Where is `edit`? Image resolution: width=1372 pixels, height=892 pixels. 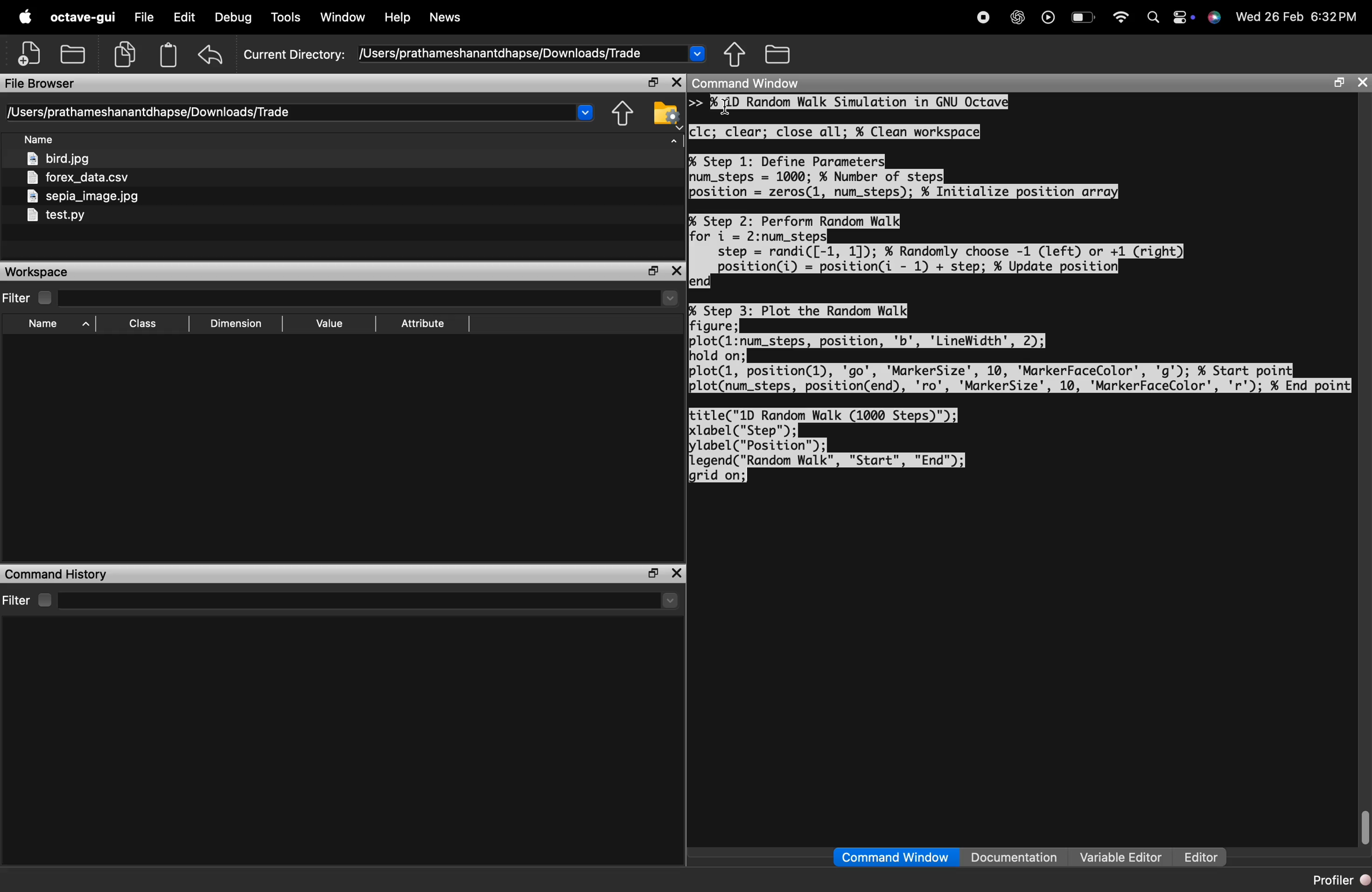
edit is located at coordinates (184, 18).